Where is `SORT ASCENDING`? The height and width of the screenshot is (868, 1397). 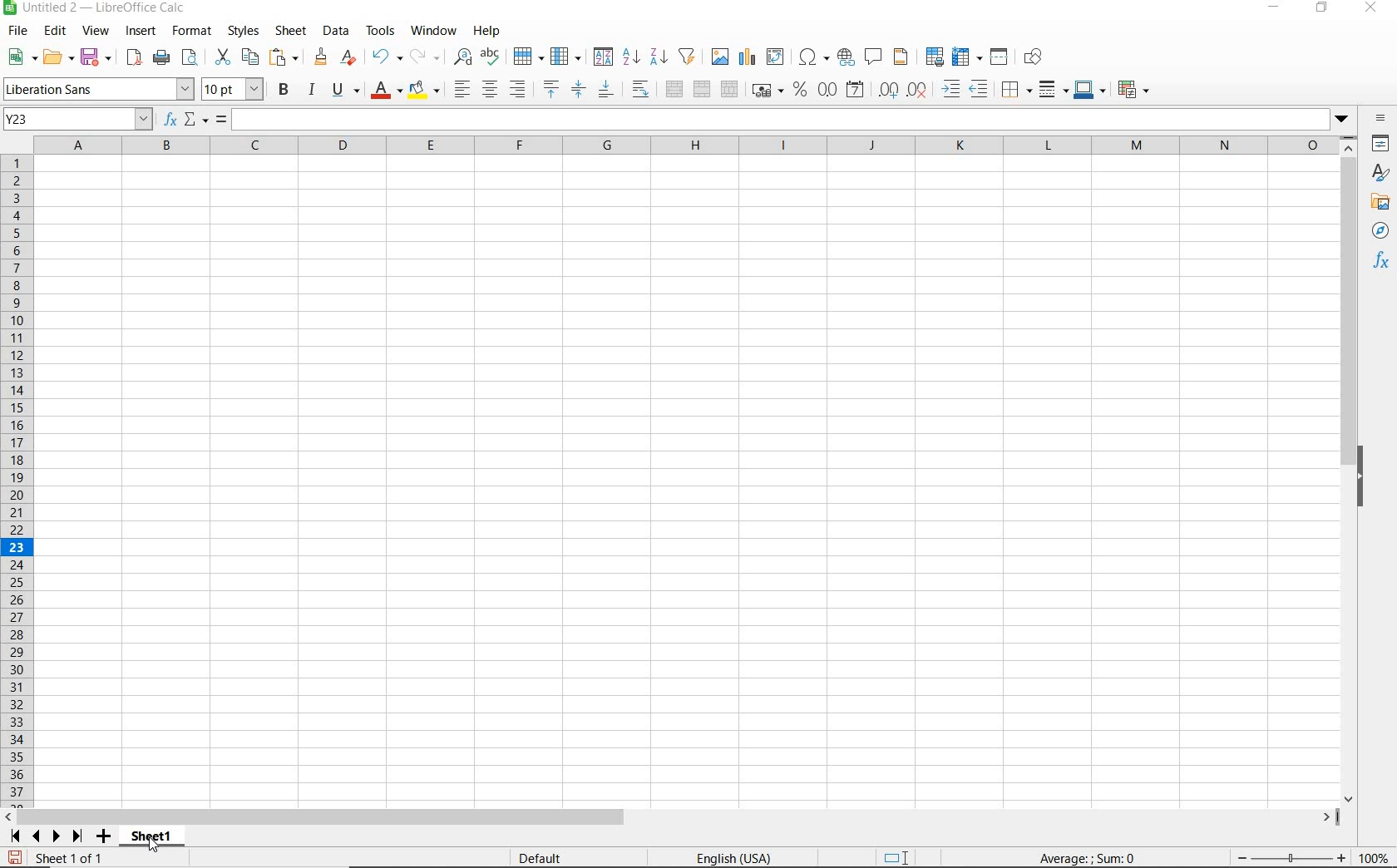
SORT ASCENDING is located at coordinates (632, 57).